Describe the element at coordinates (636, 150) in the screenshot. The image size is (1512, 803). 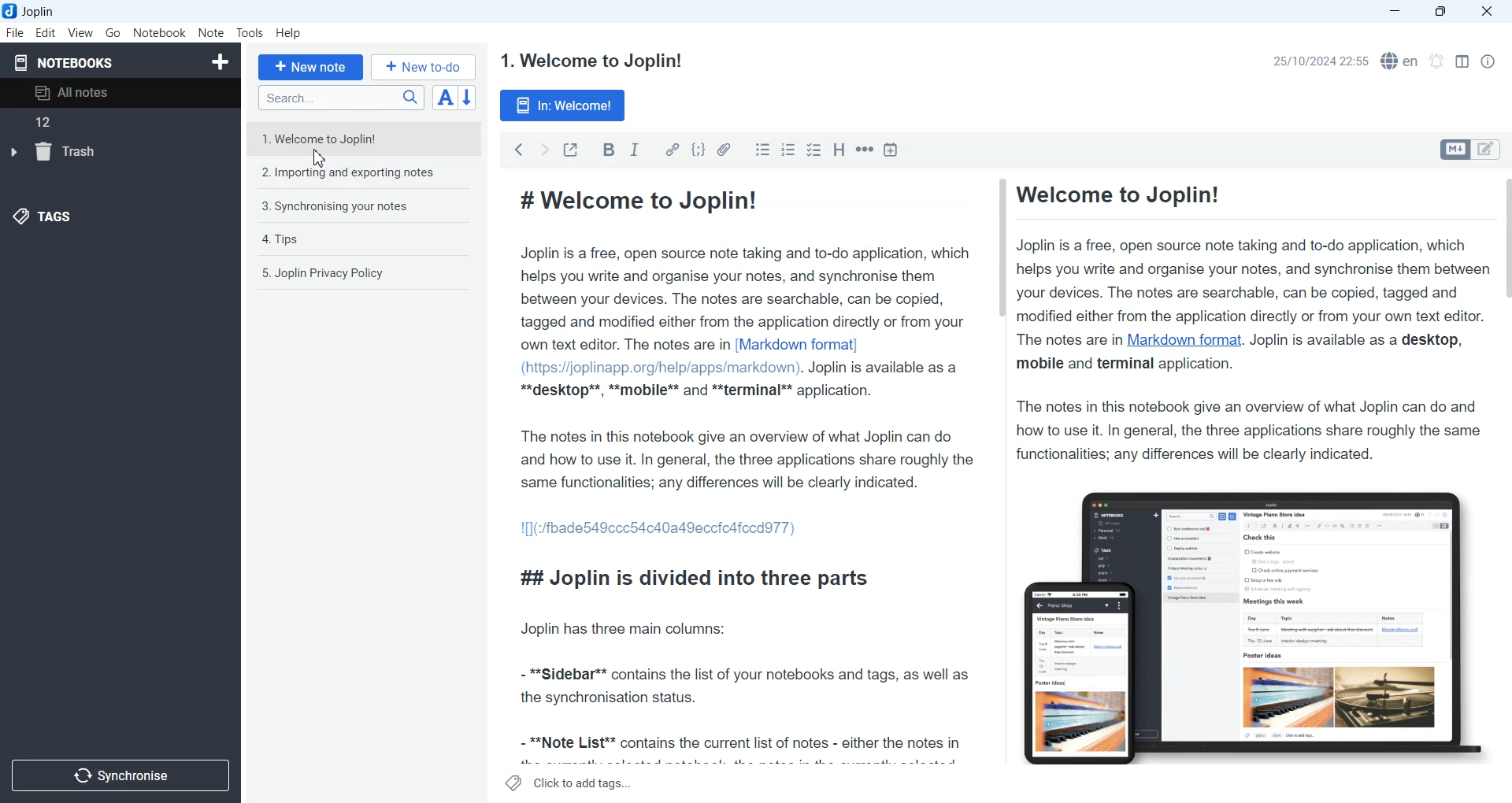
I see `Italic` at that location.